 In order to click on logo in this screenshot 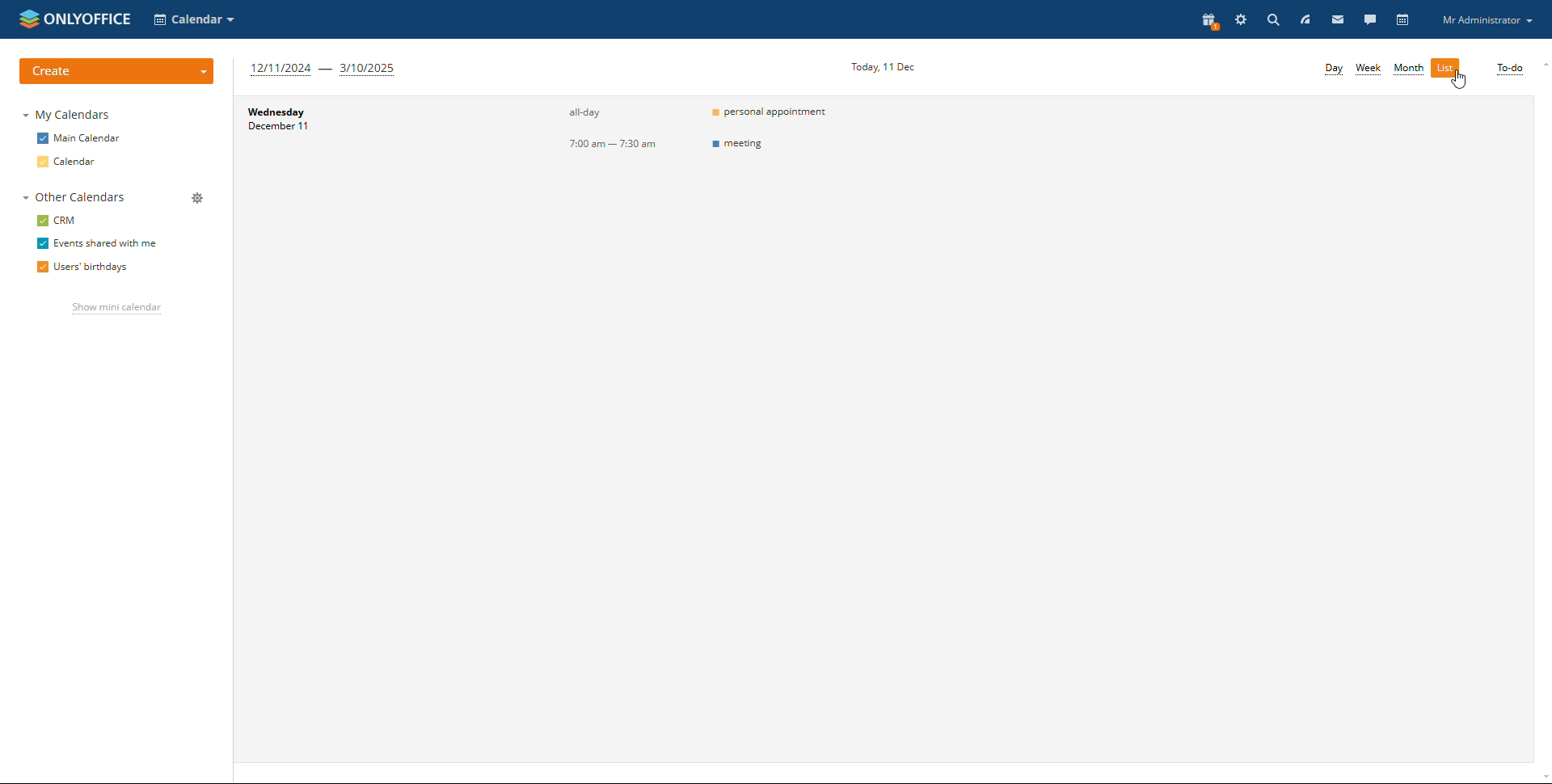, I will do `click(76, 19)`.